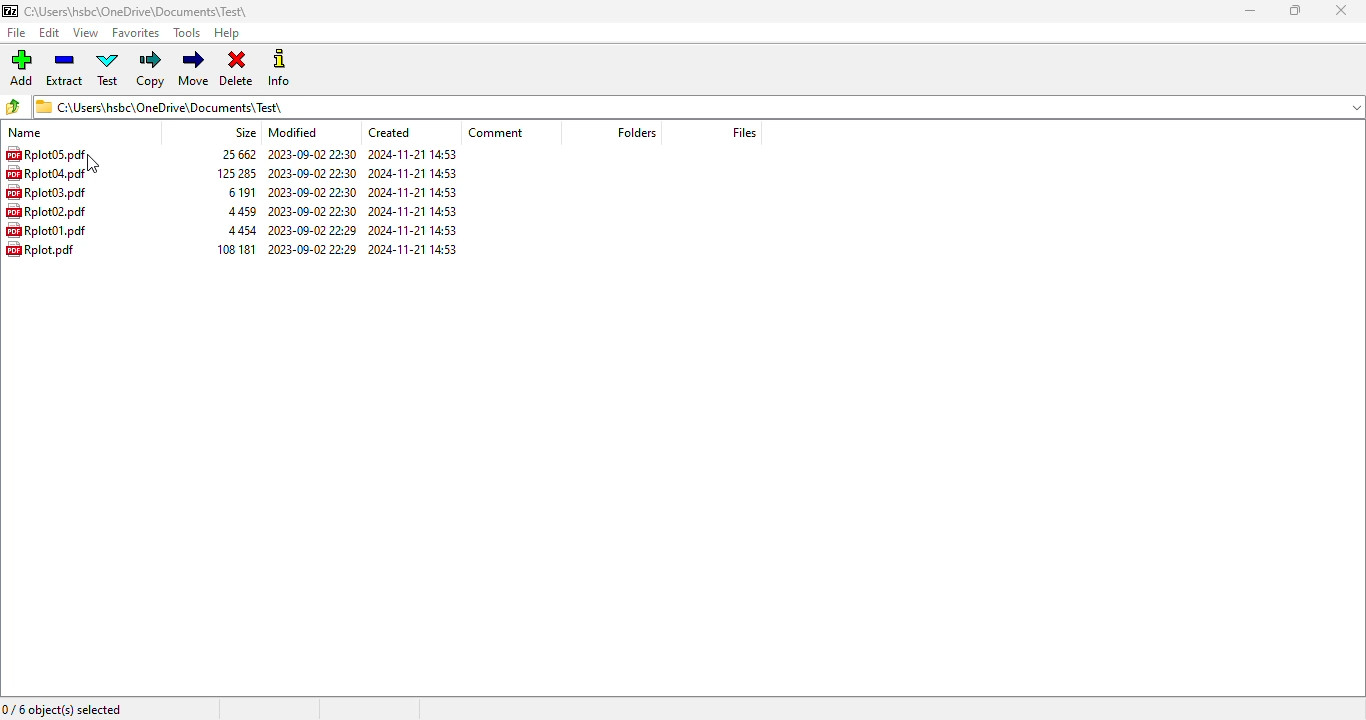 The width and height of the screenshot is (1366, 720). Describe the element at coordinates (136, 33) in the screenshot. I see `favorites` at that location.